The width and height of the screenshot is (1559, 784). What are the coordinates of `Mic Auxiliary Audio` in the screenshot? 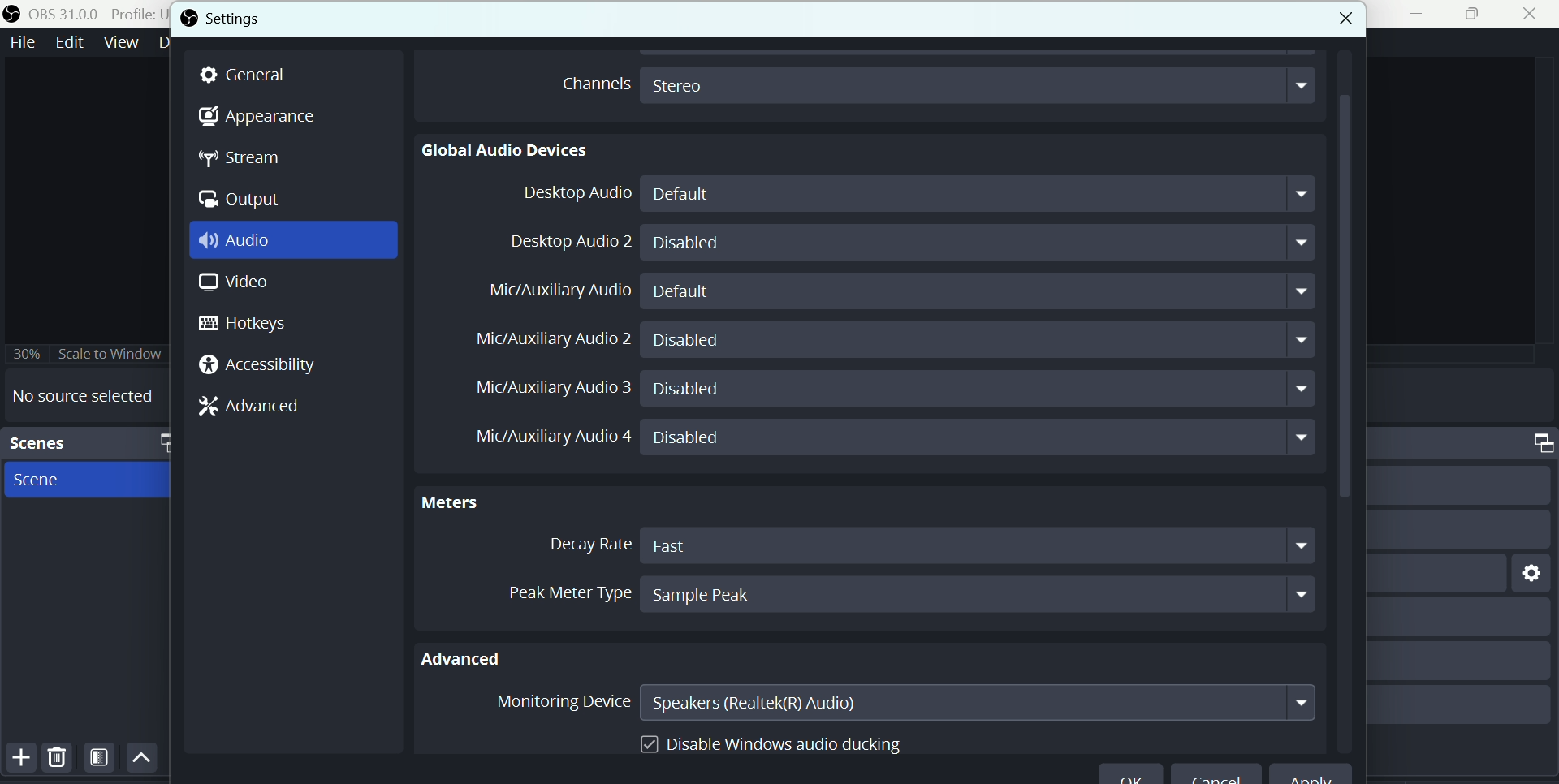 It's located at (562, 291).